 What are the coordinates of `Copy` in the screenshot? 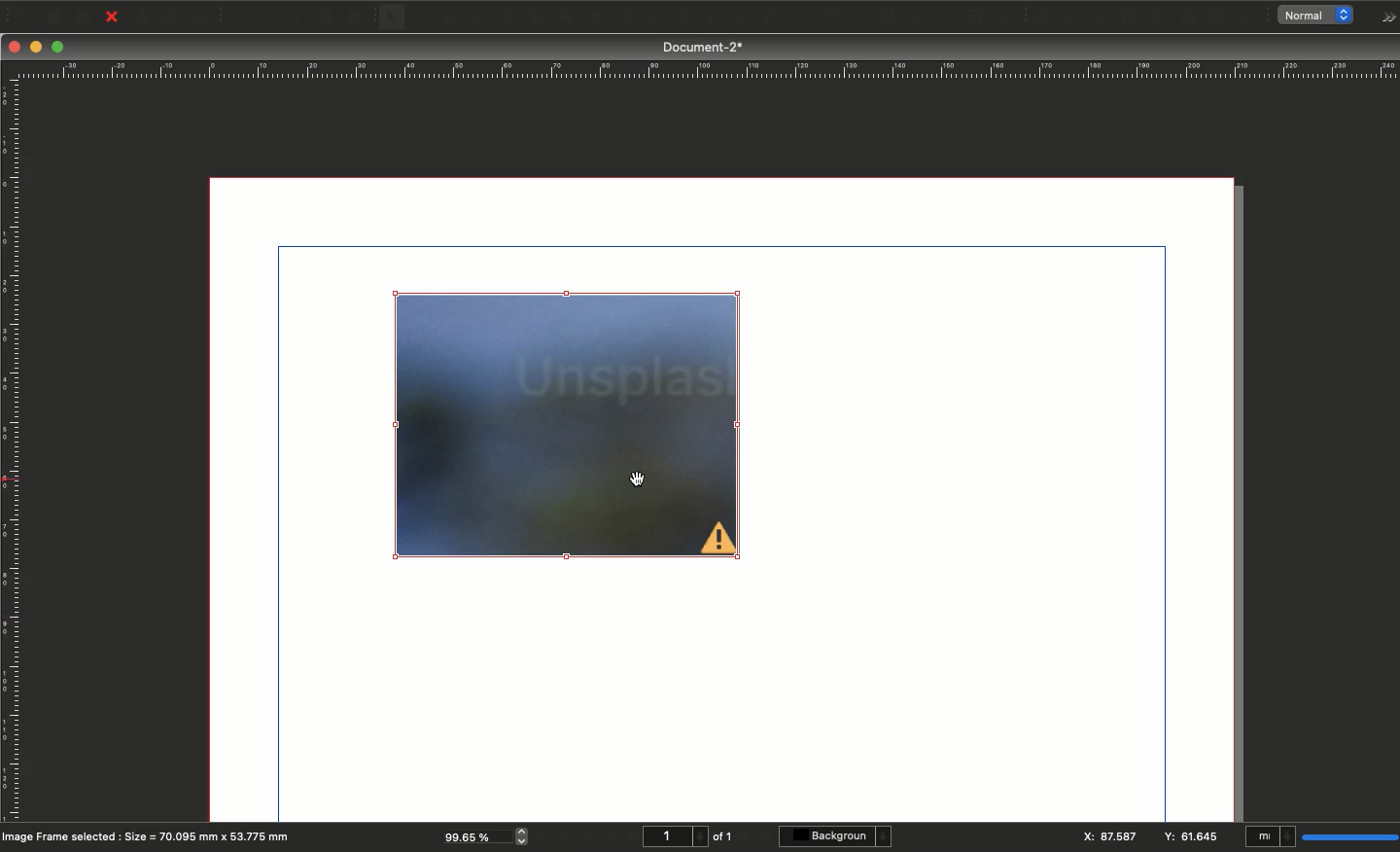 It's located at (327, 18).